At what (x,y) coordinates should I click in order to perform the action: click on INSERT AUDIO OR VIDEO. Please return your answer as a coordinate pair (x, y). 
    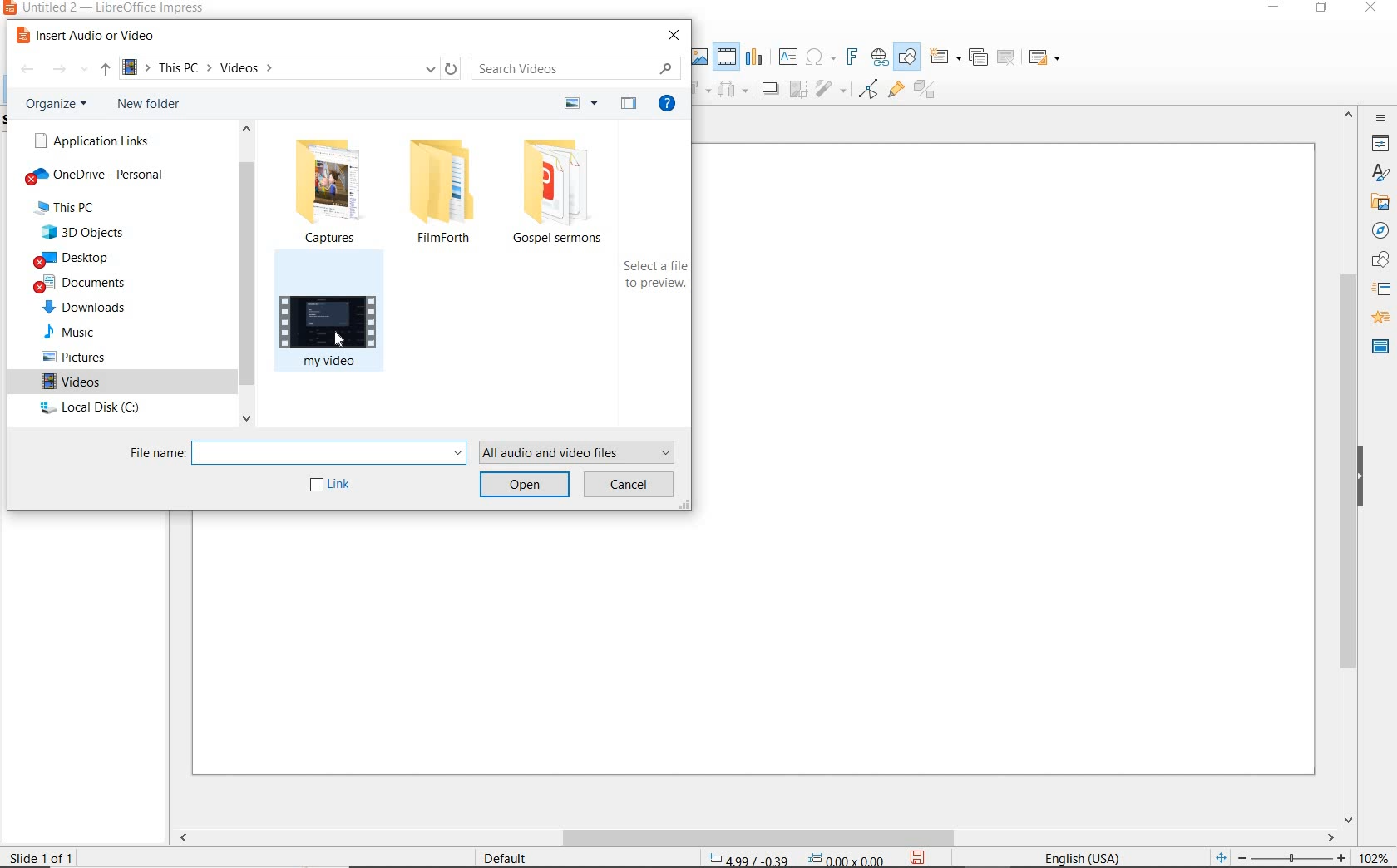
    Looking at the image, I should click on (94, 36).